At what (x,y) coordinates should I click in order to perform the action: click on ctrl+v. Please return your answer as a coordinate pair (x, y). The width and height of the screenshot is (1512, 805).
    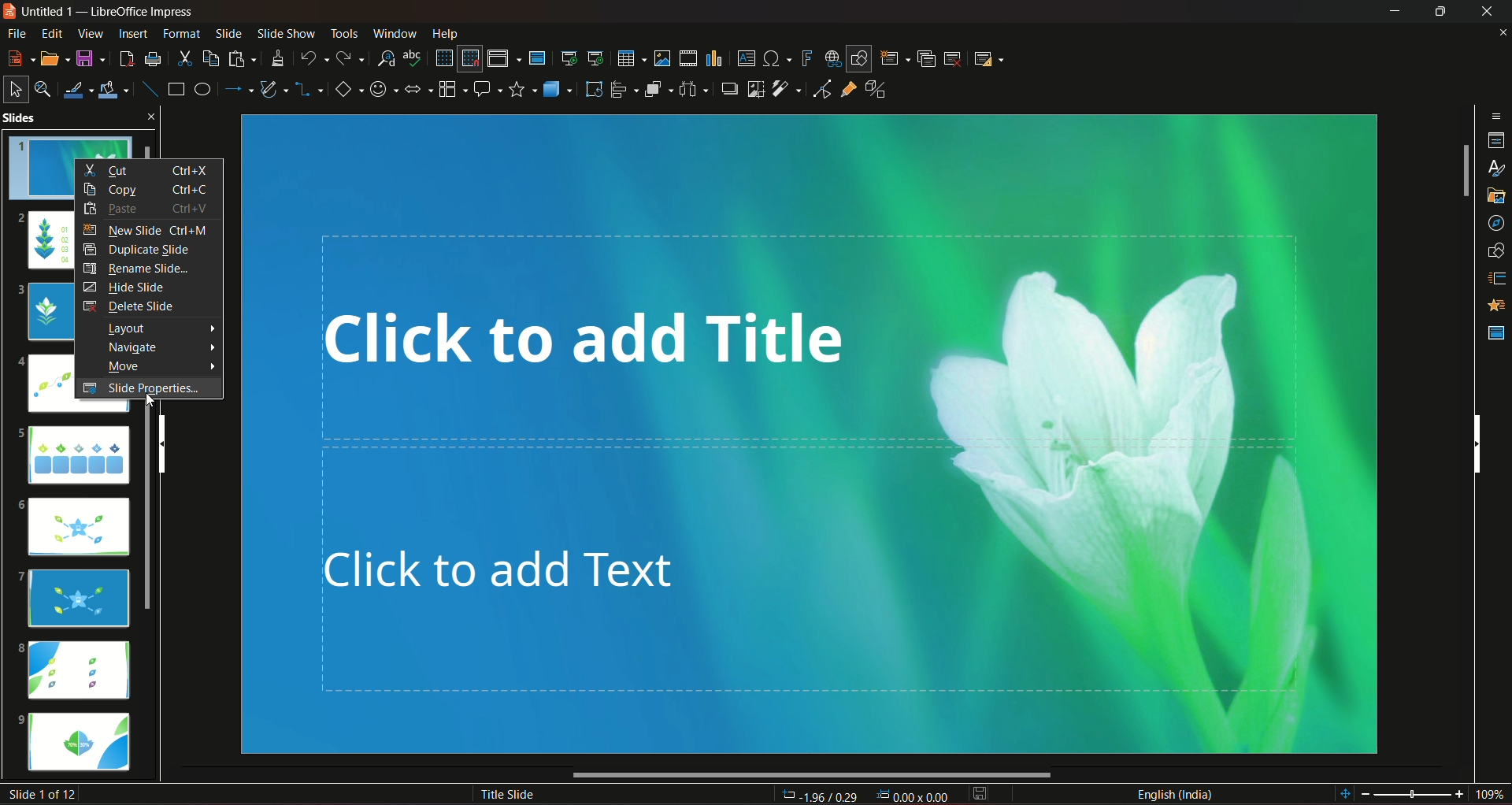
    Looking at the image, I should click on (192, 208).